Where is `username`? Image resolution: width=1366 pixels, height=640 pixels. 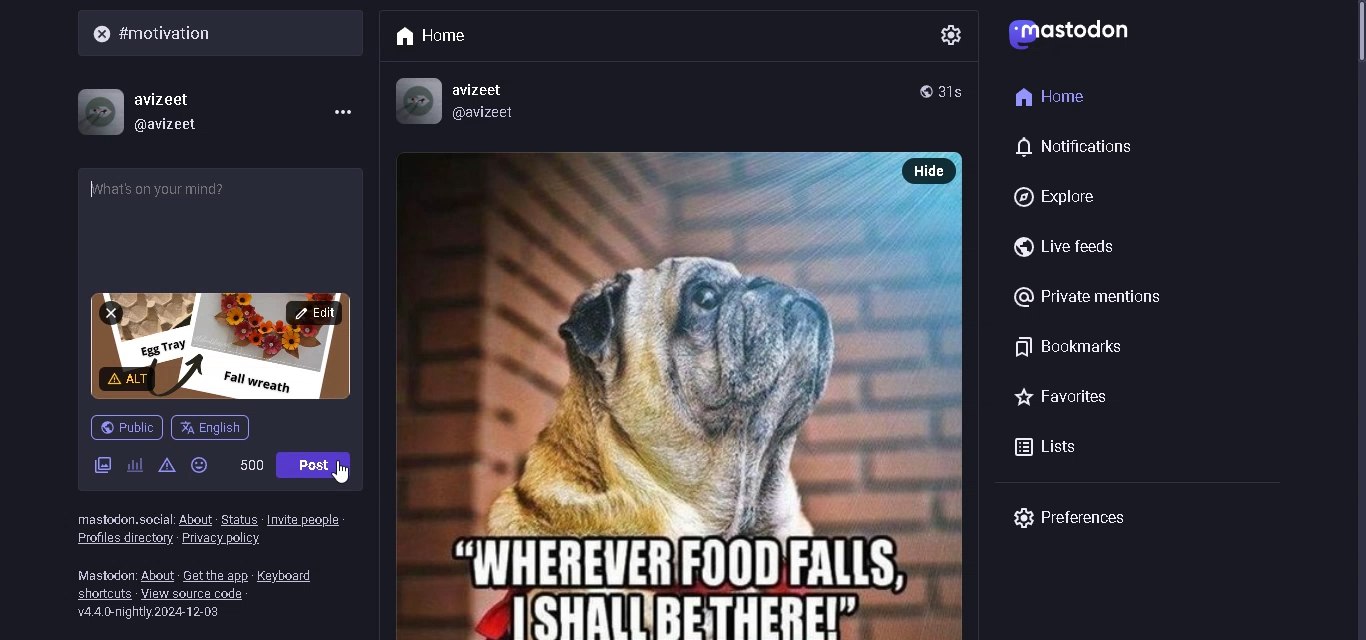
username is located at coordinates (166, 96).